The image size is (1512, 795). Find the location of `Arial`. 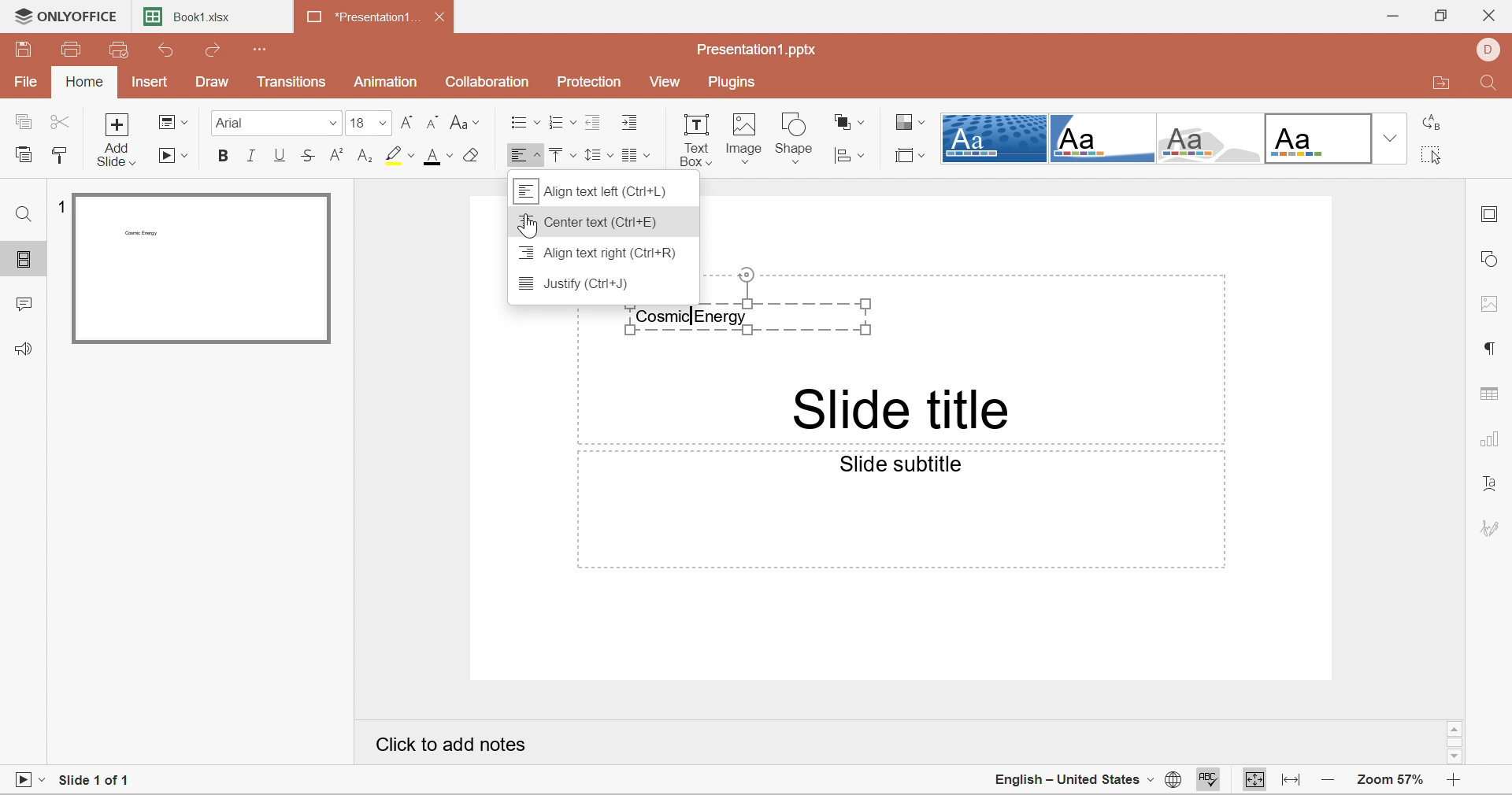

Arial is located at coordinates (273, 123).